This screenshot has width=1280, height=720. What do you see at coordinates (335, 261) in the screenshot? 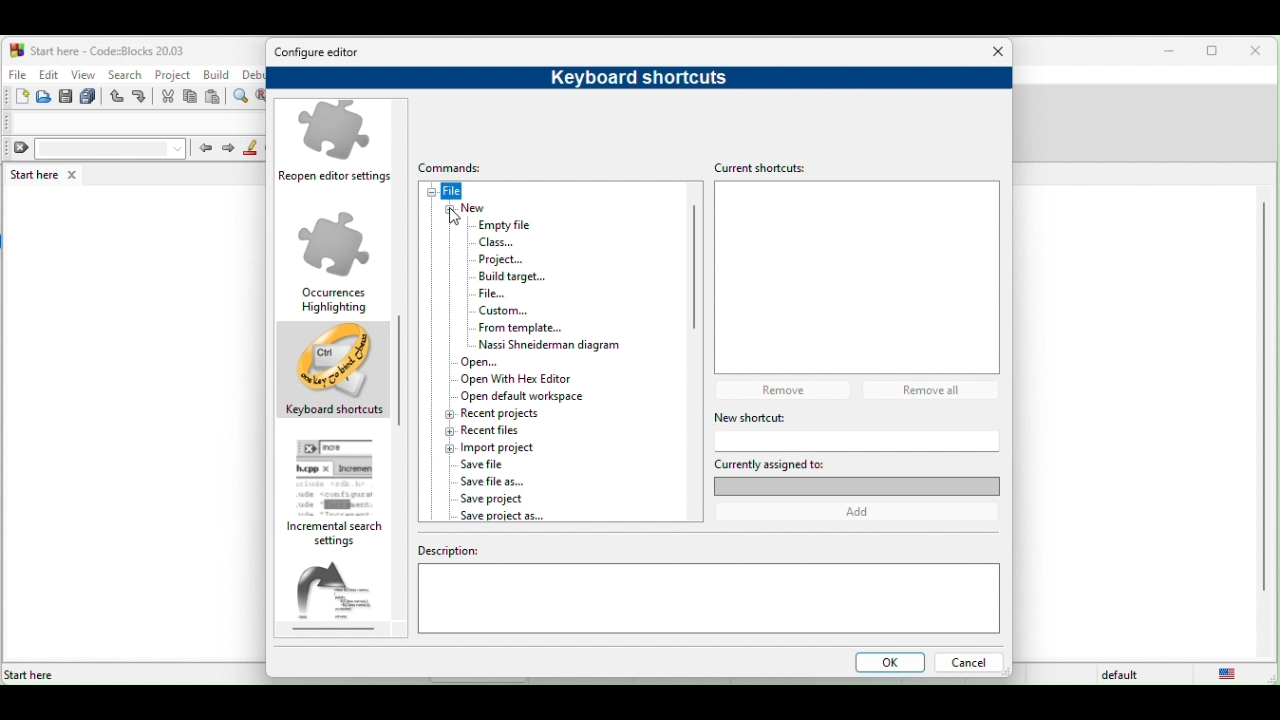
I see `occurrences highlighting` at bounding box center [335, 261].